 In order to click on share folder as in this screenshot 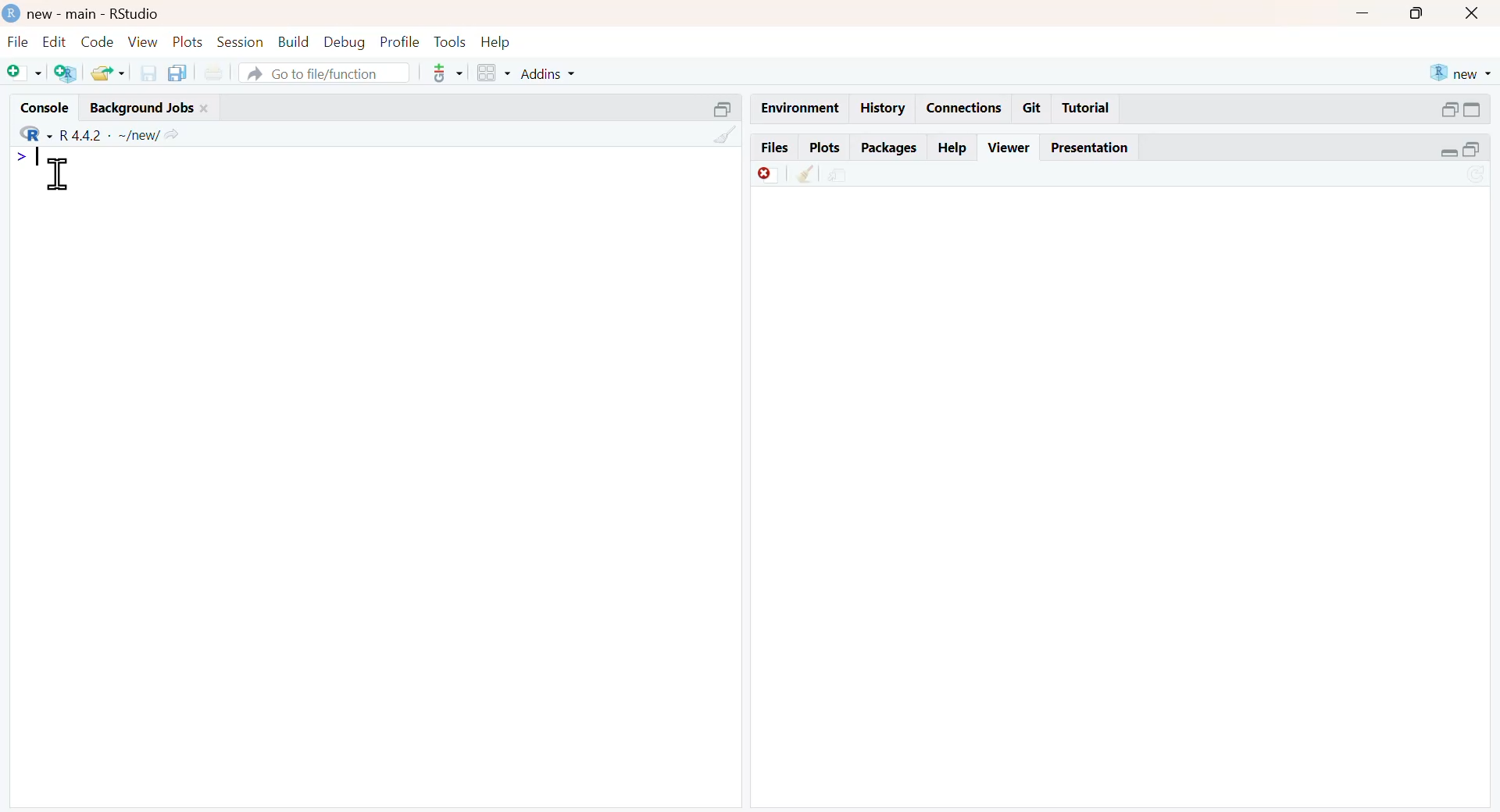, I will do `click(108, 73)`.